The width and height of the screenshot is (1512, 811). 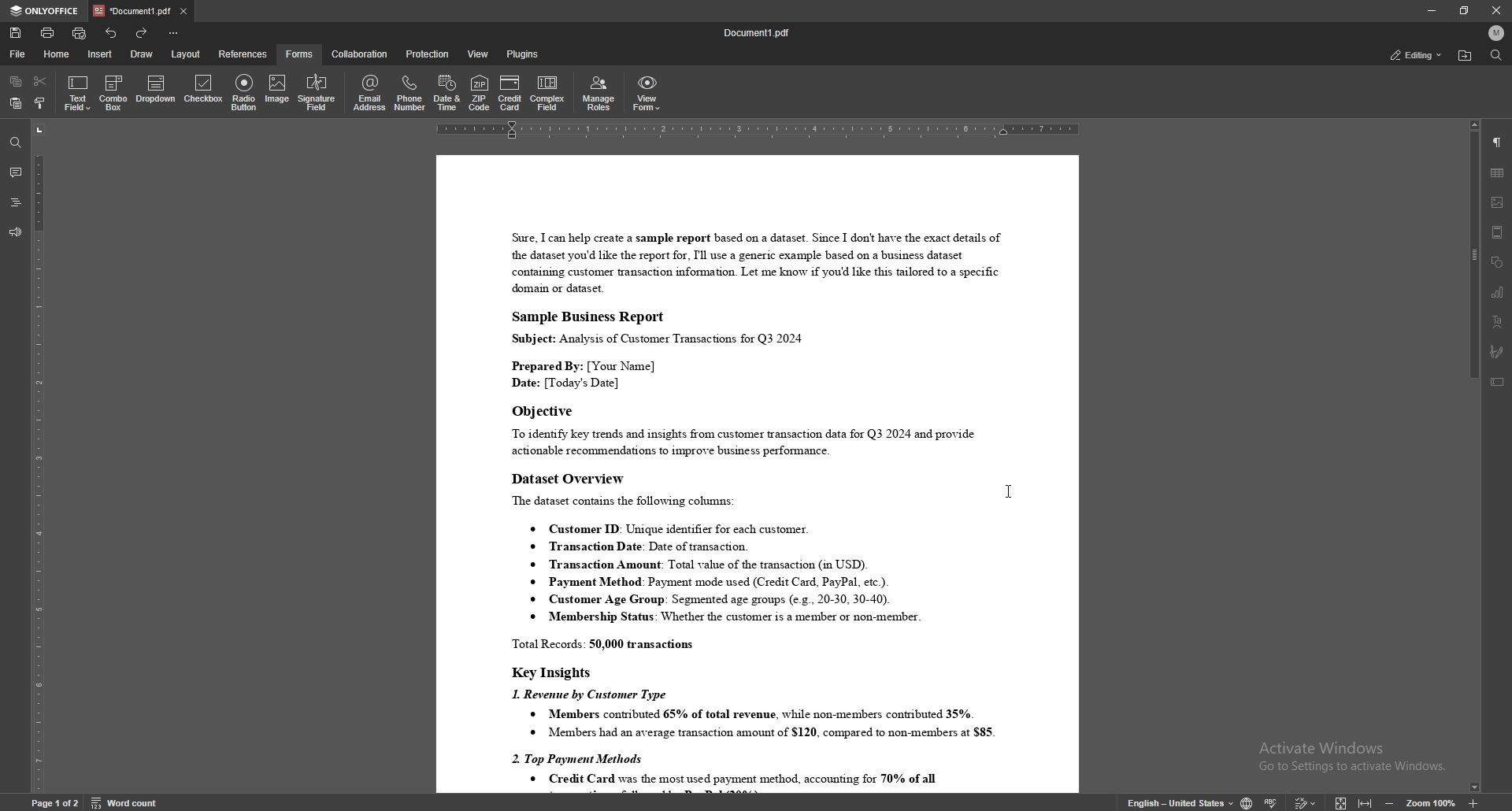 I want to click on image, so click(x=276, y=91).